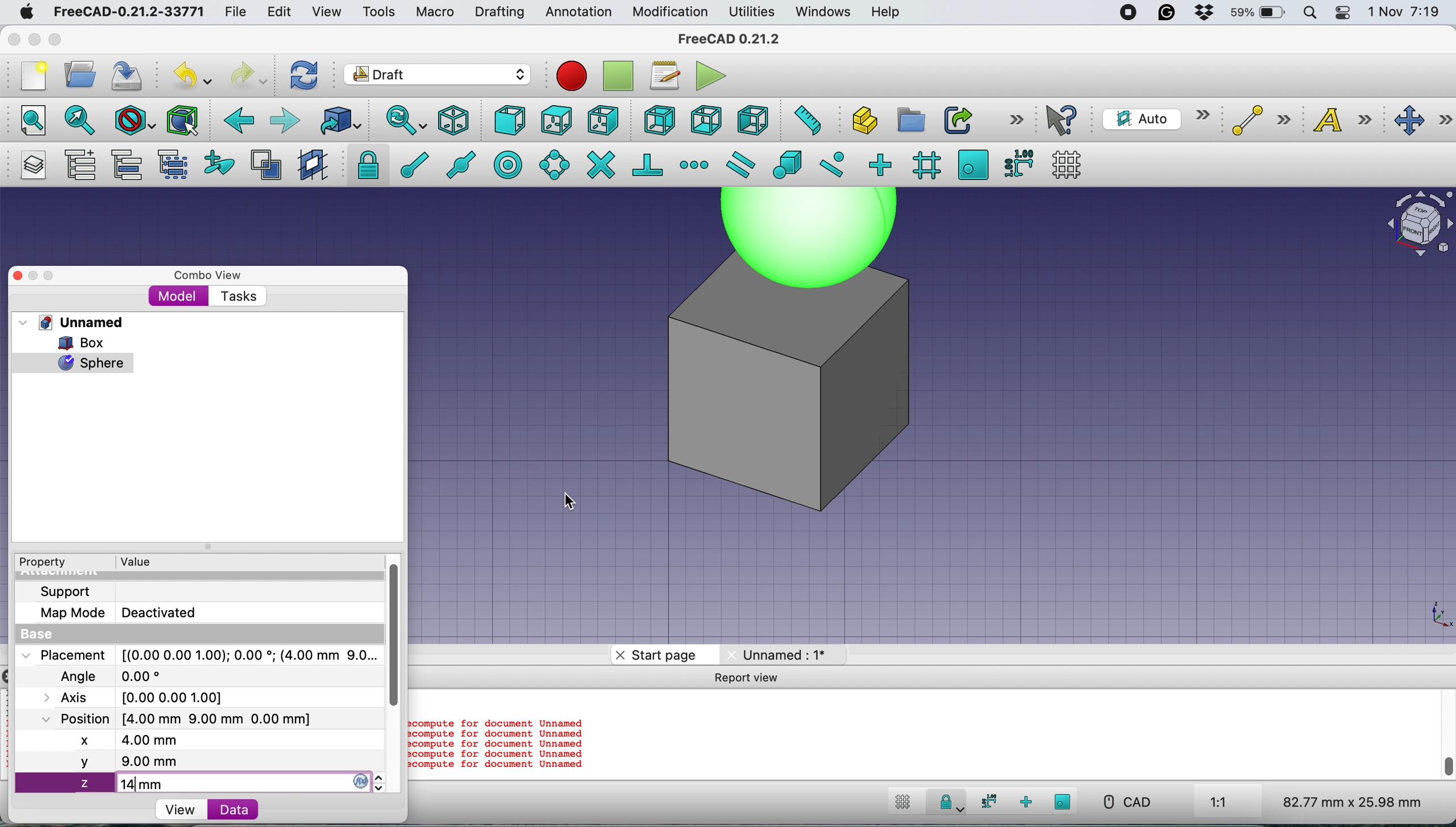 This screenshot has height=827, width=1456. Describe the element at coordinates (23, 275) in the screenshot. I see `close` at that location.